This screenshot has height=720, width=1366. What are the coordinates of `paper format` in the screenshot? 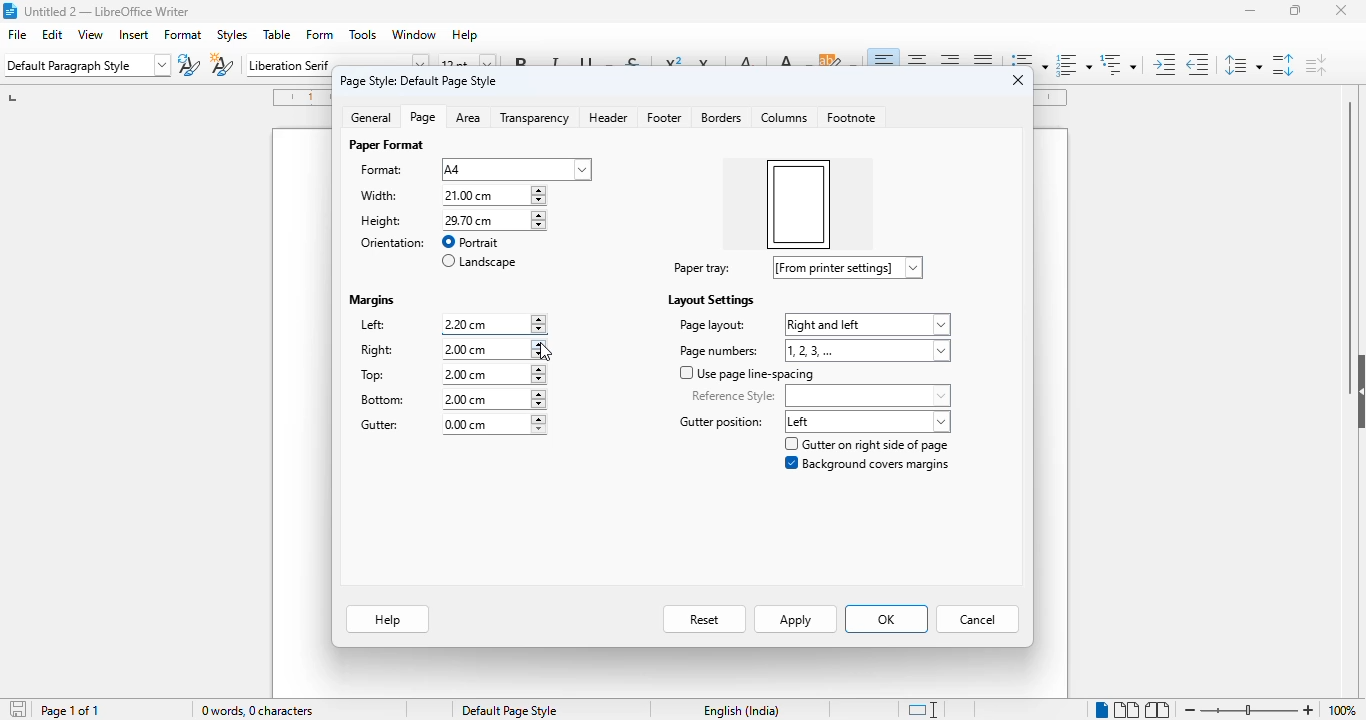 It's located at (388, 146).